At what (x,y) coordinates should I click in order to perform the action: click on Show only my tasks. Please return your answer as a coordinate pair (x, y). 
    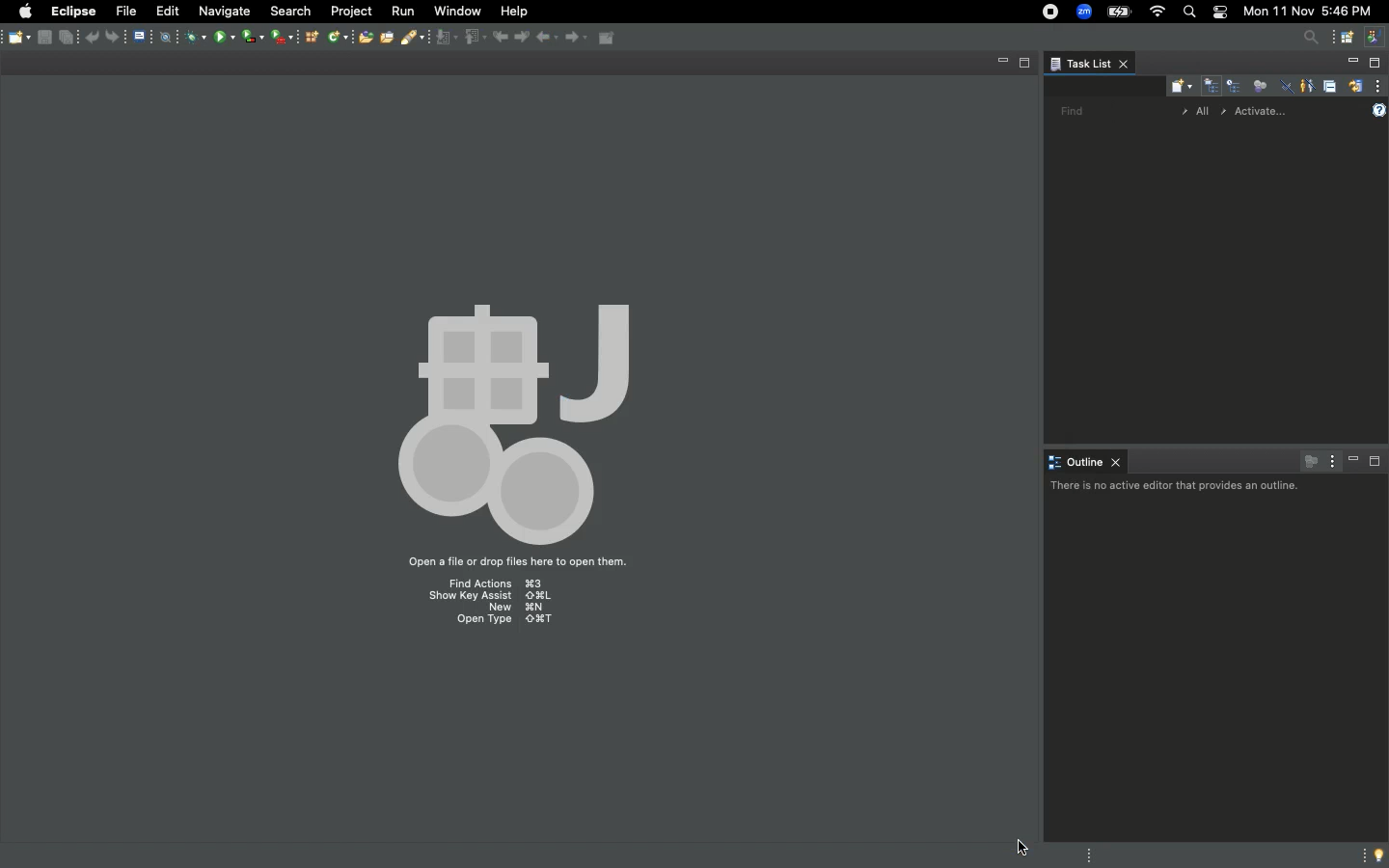
    Looking at the image, I should click on (1307, 86).